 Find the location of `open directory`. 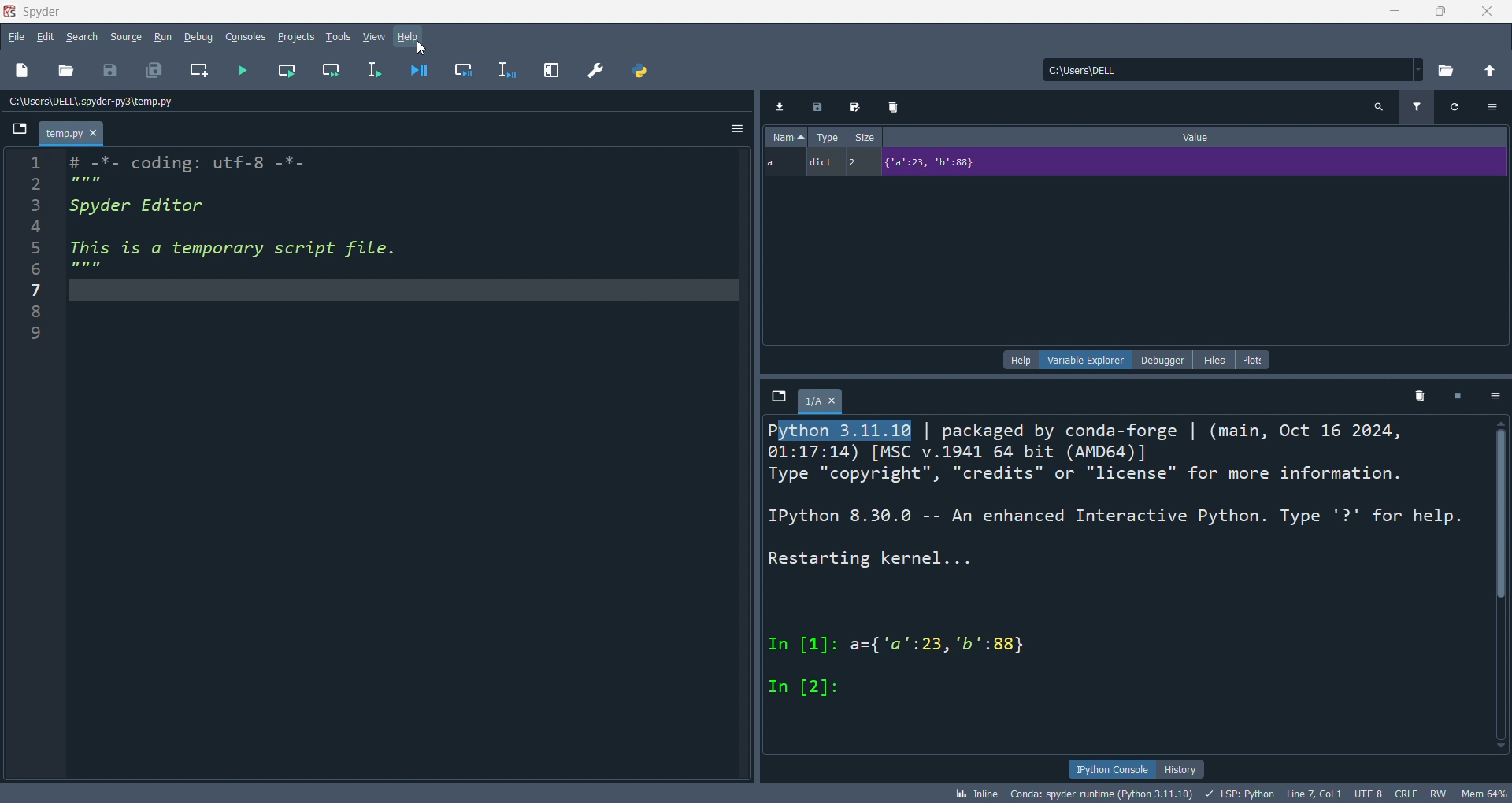

open directory is located at coordinates (1448, 68).